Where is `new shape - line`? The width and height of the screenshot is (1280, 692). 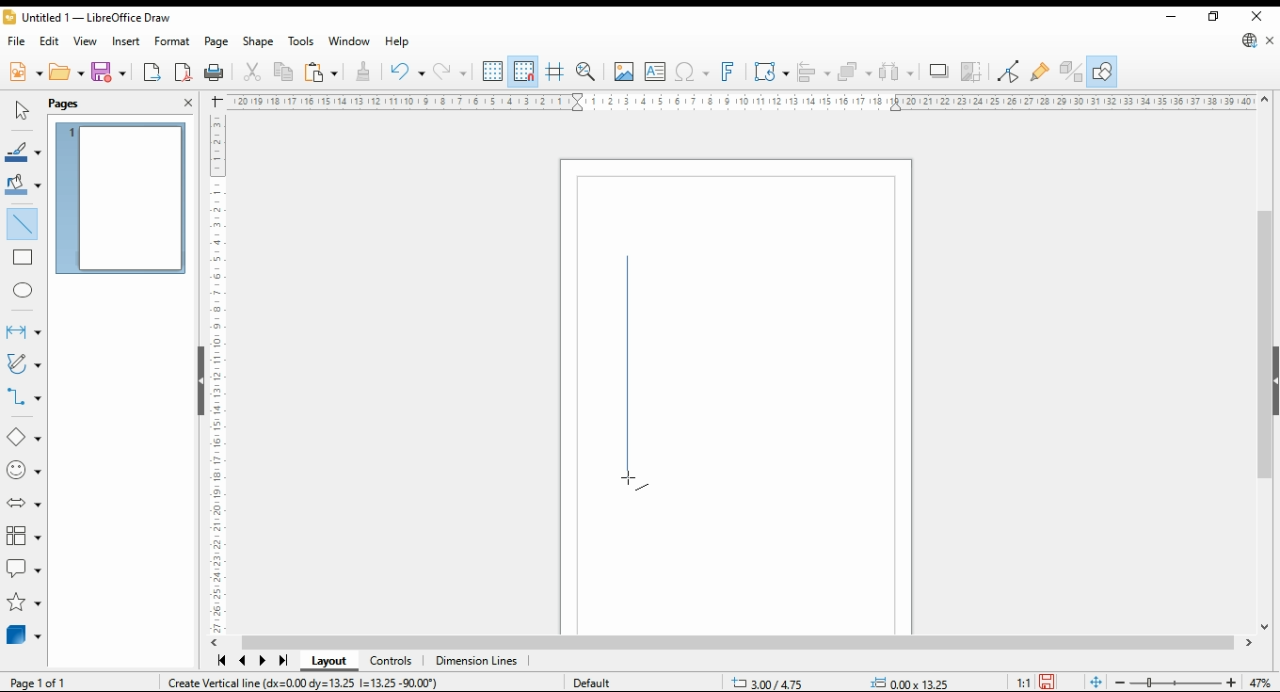 new shape - line is located at coordinates (632, 373).